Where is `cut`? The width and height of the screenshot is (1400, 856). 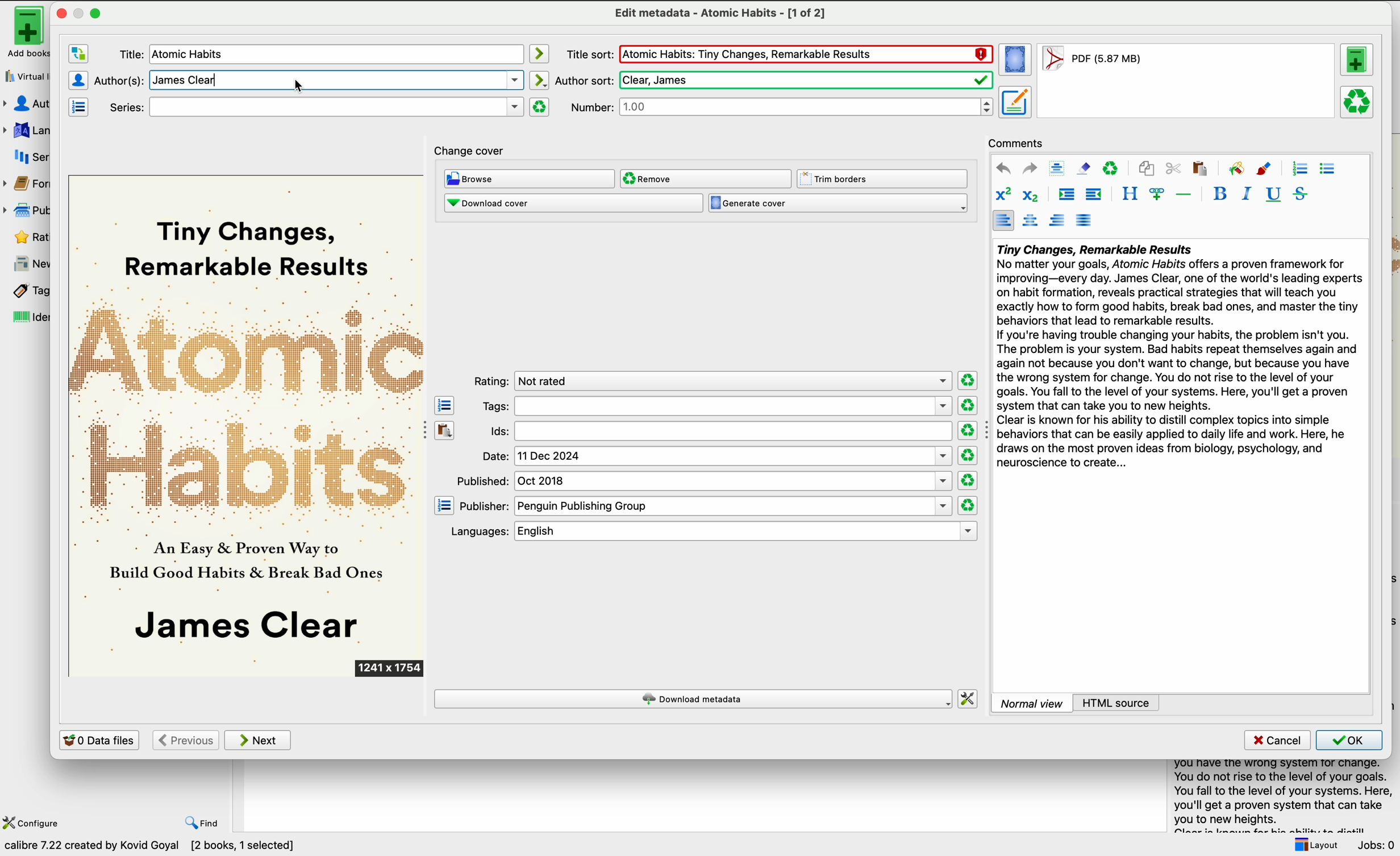 cut is located at coordinates (1173, 168).